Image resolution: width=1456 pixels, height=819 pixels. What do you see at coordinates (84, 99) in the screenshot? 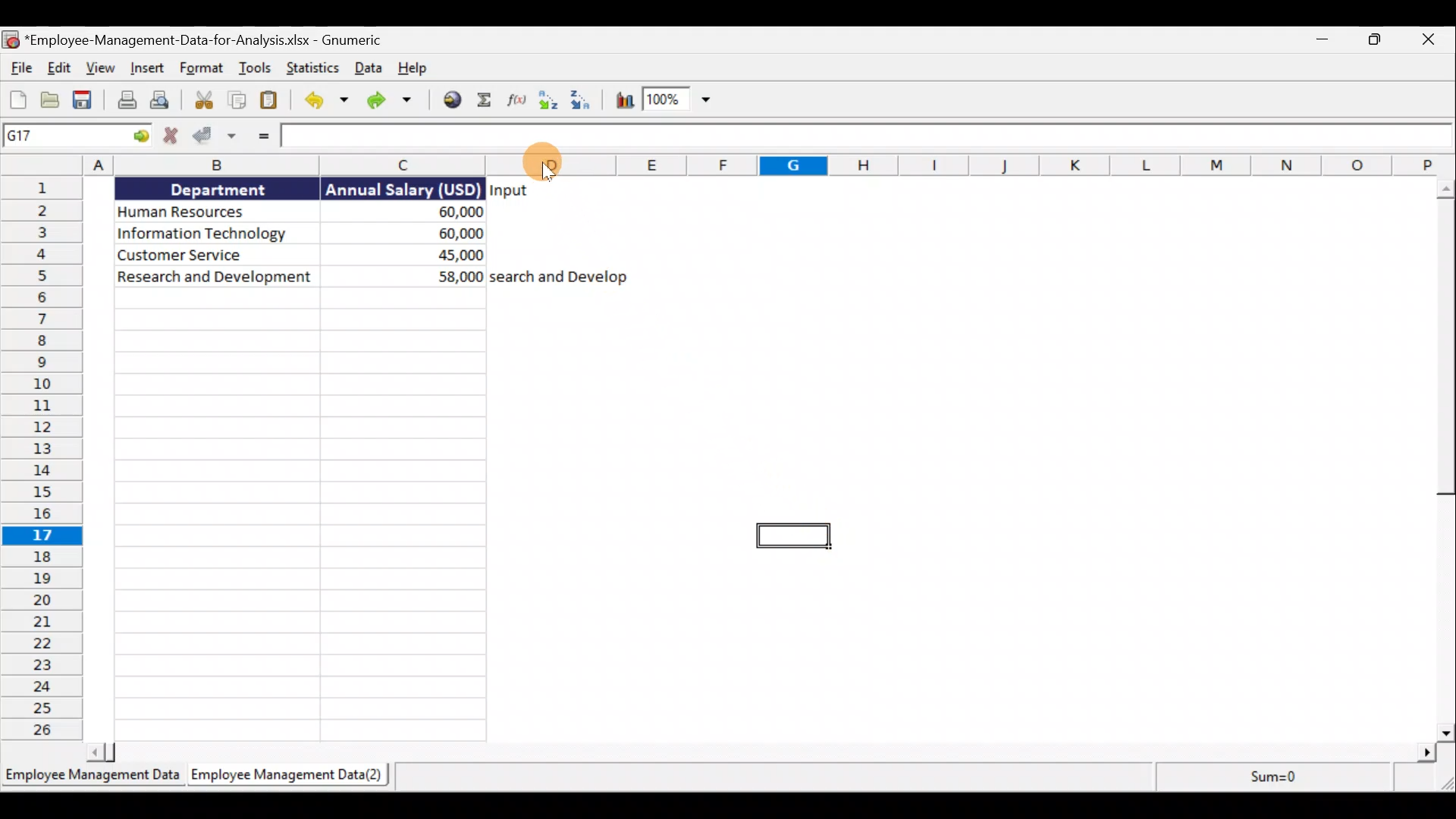
I see `Save the current workbook` at bounding box center [84, 99].